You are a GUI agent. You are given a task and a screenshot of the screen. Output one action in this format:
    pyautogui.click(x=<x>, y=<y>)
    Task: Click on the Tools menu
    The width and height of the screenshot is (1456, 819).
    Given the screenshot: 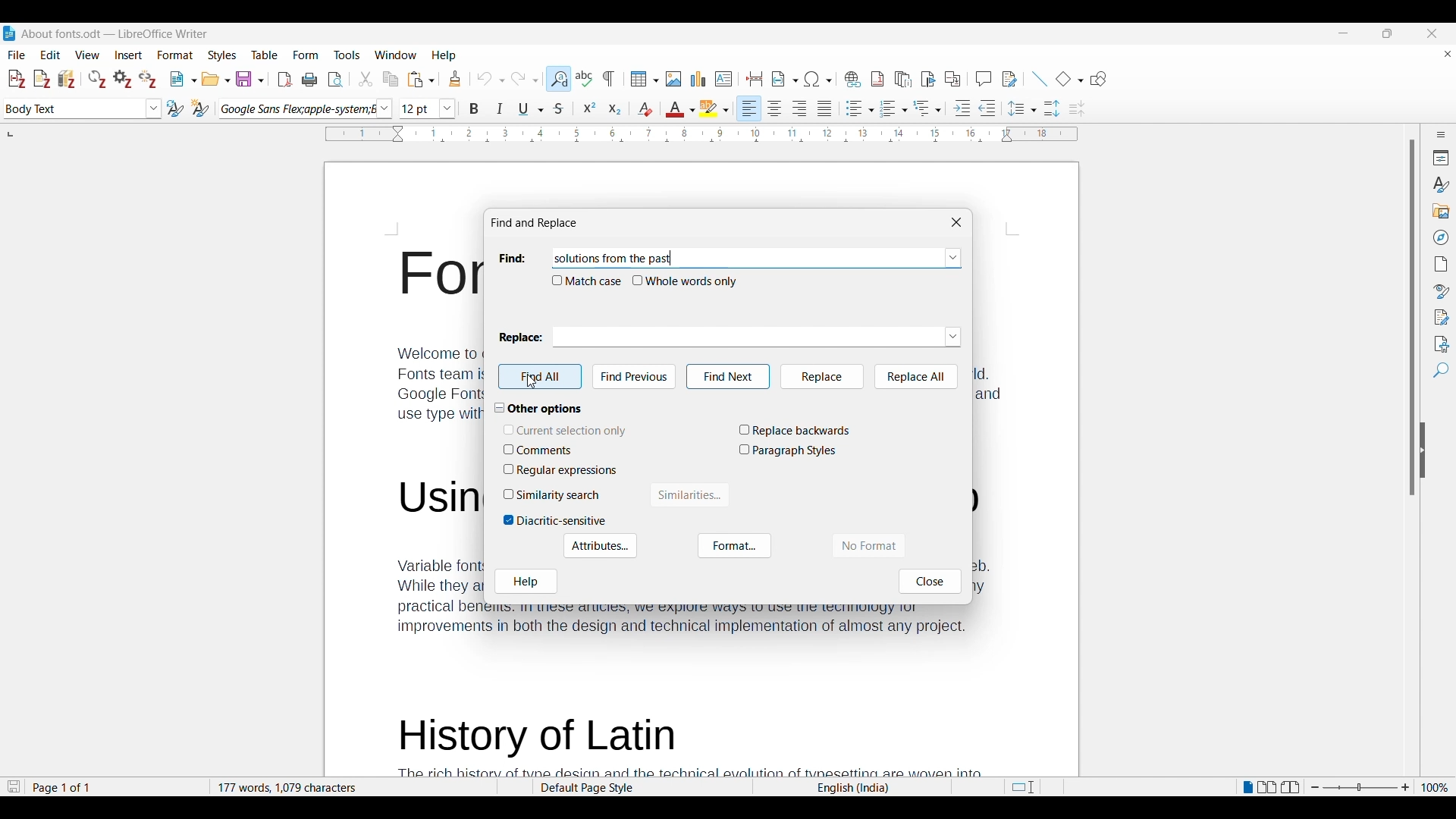 What is the action you would take?
    pyautogui.click(x=347, y=55)
    